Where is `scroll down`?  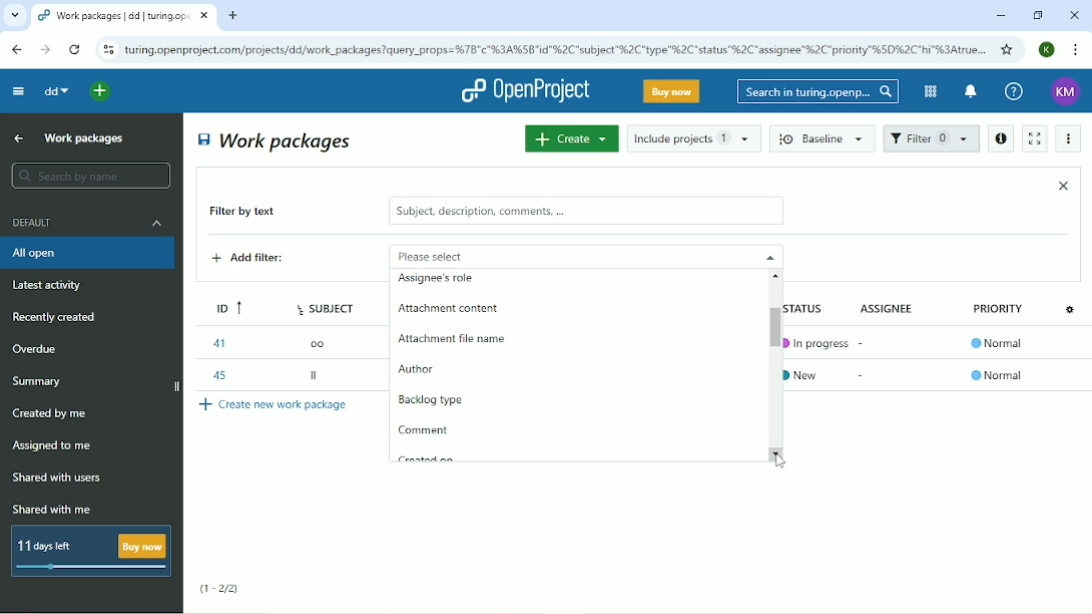
scroll down is located at coordinates (780, 453).